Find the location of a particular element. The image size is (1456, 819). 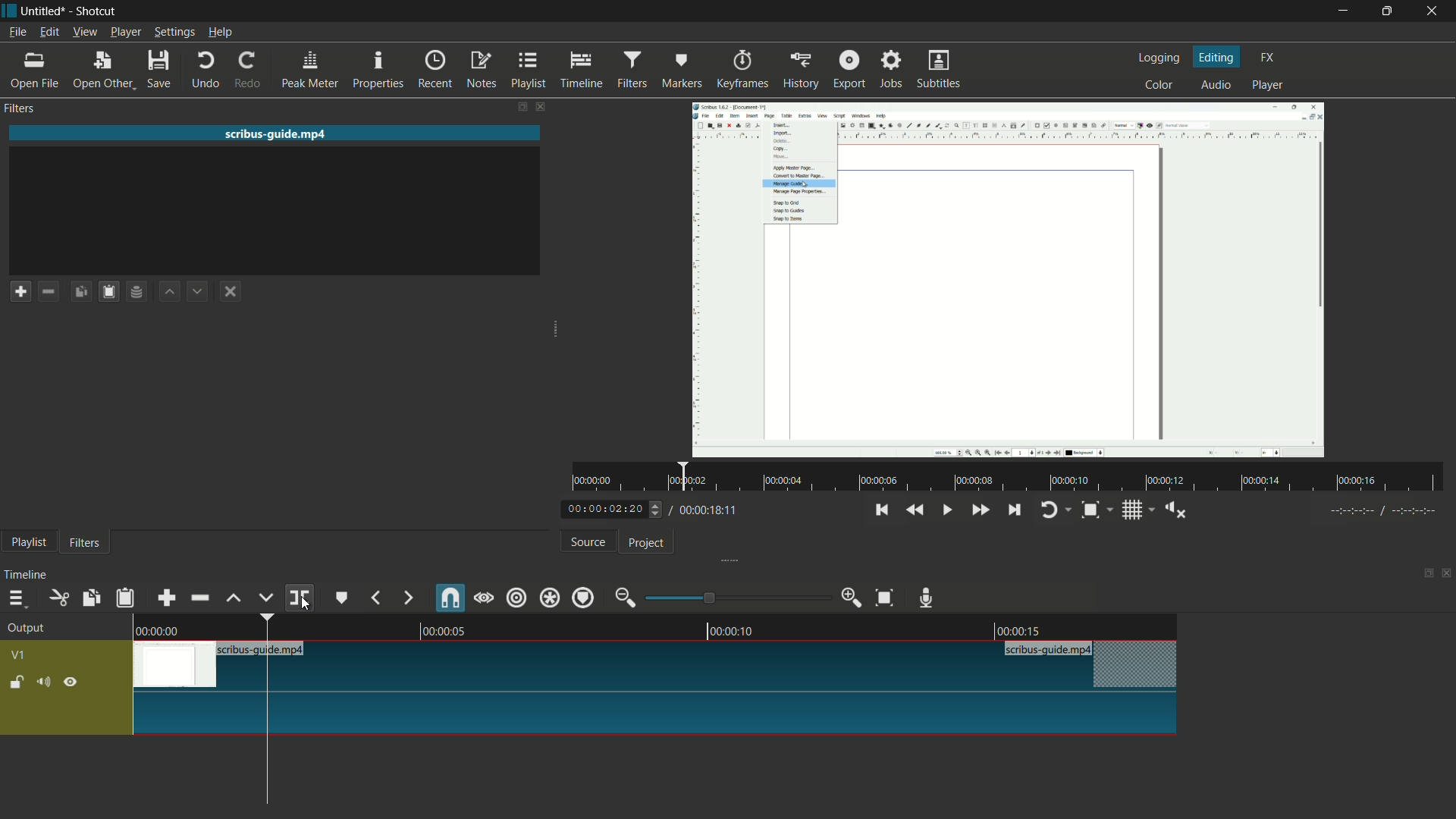

open other is located at coordinates (103, 70).